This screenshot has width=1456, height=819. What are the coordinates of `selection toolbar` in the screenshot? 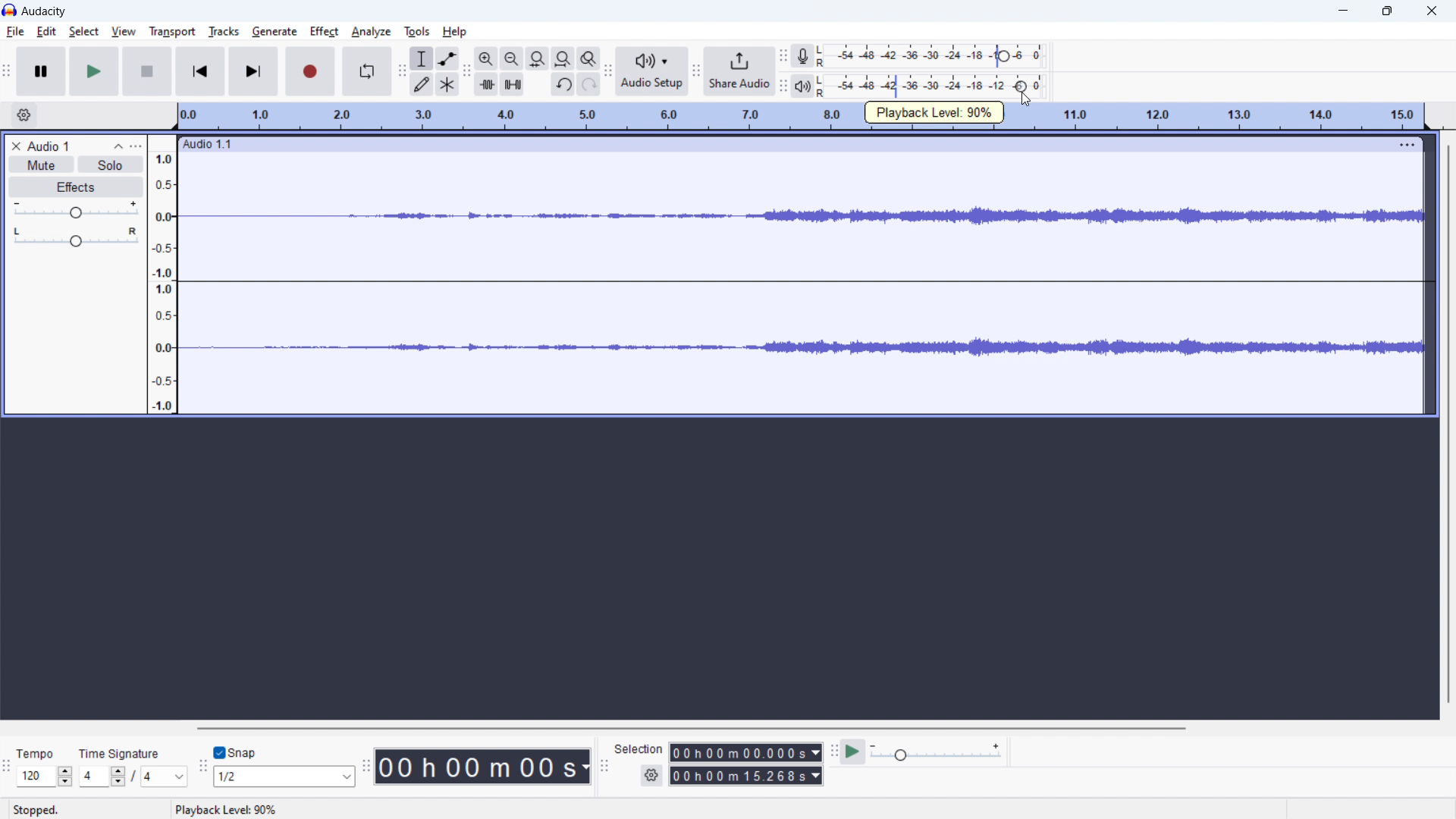 It's located at (604, 767).